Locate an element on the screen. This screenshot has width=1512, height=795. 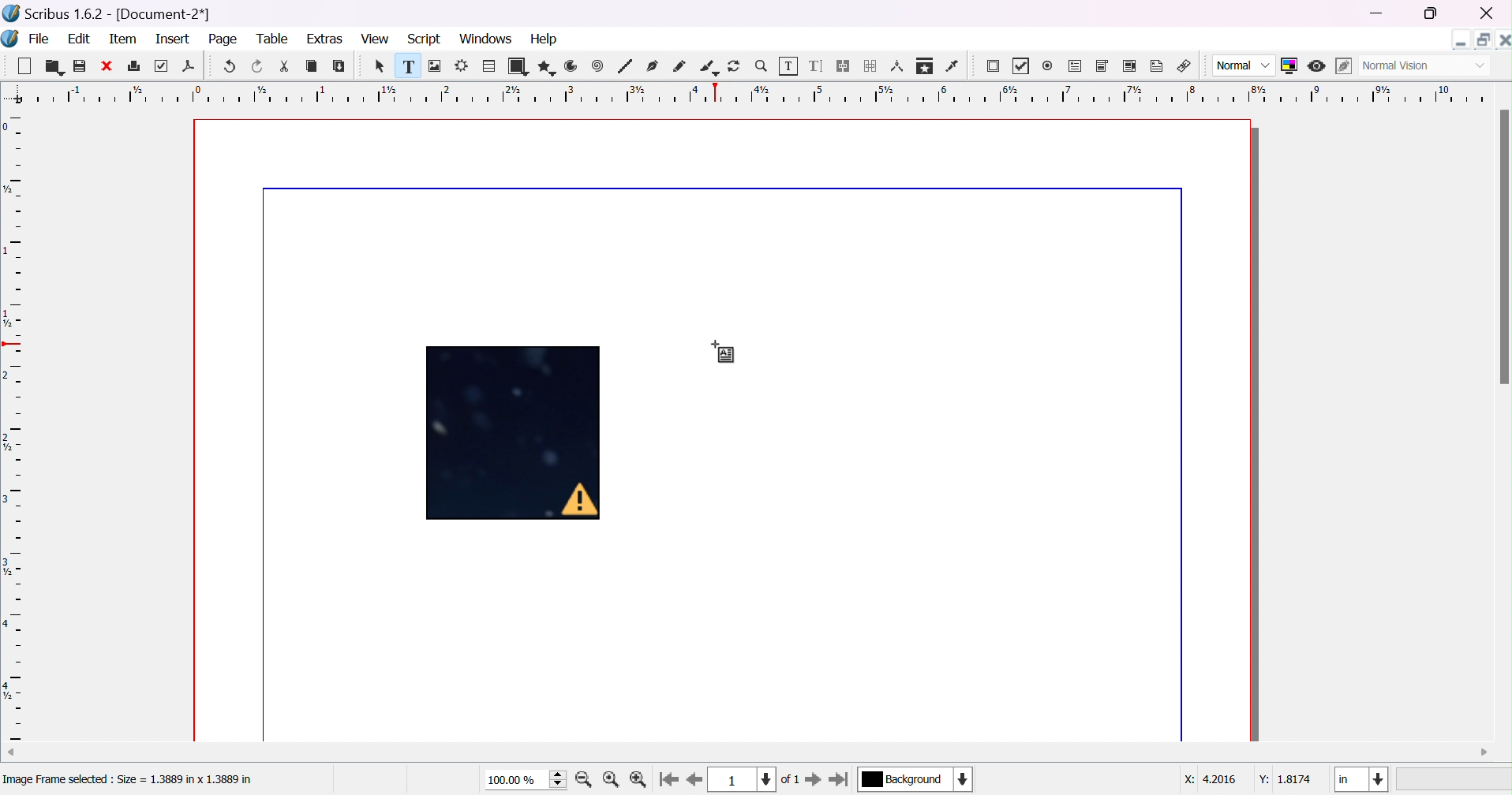
Image Frame selected : Size = 1.3889 in x 1.3889 in is located at coordinates (133, 780).